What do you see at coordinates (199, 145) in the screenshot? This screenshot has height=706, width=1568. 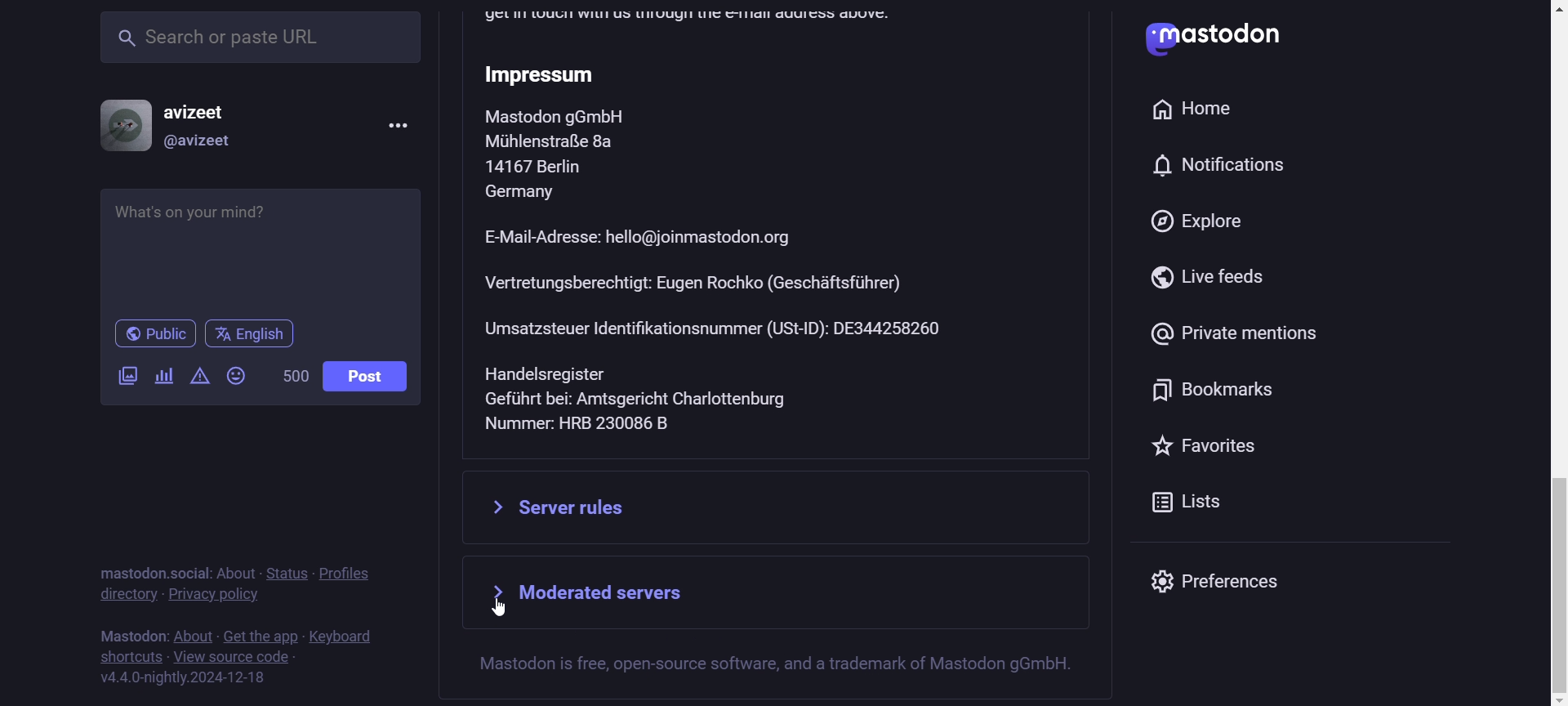 I see `@username` at bounding box center [199, 145].